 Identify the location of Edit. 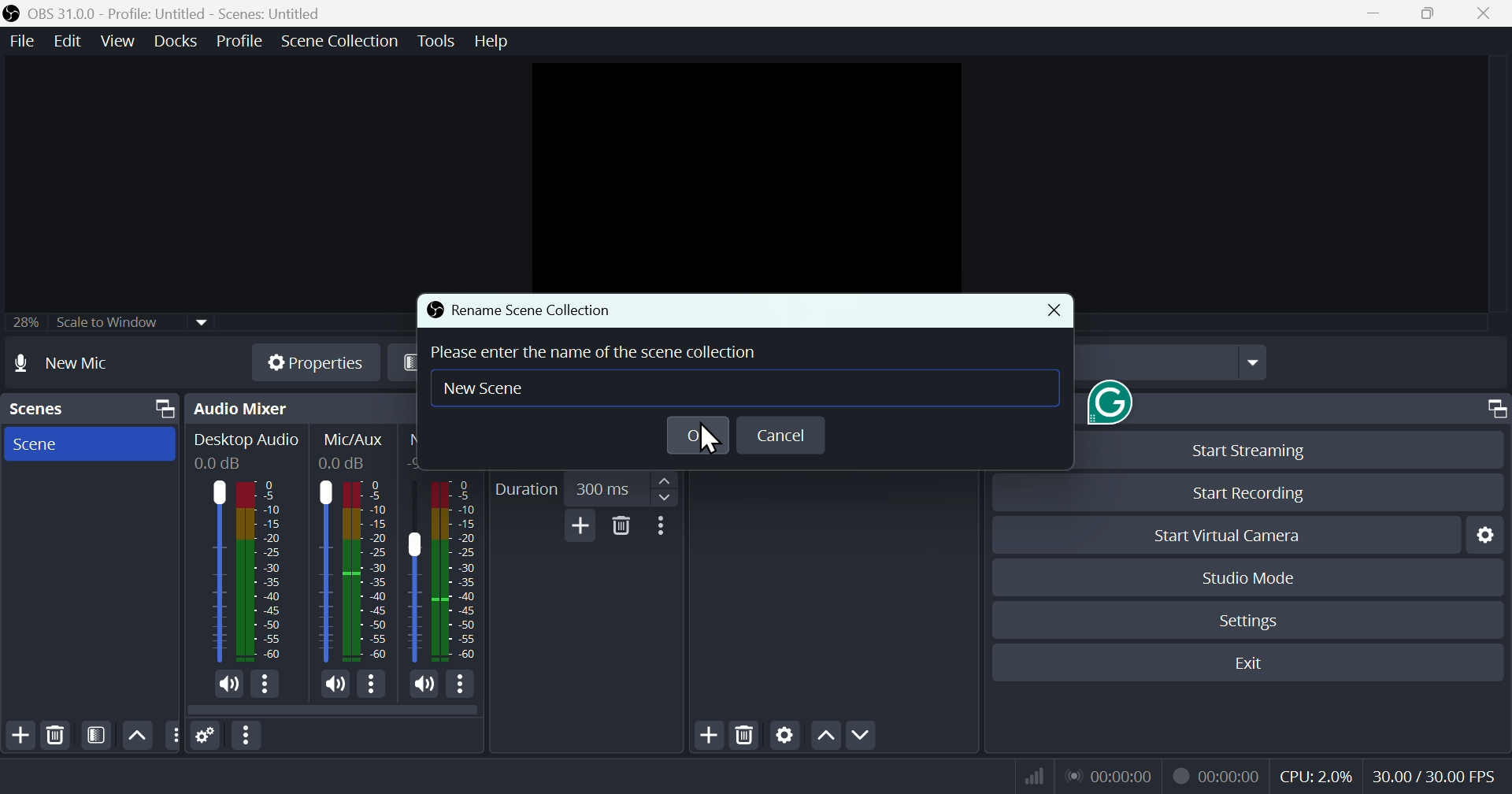
(61, 43).